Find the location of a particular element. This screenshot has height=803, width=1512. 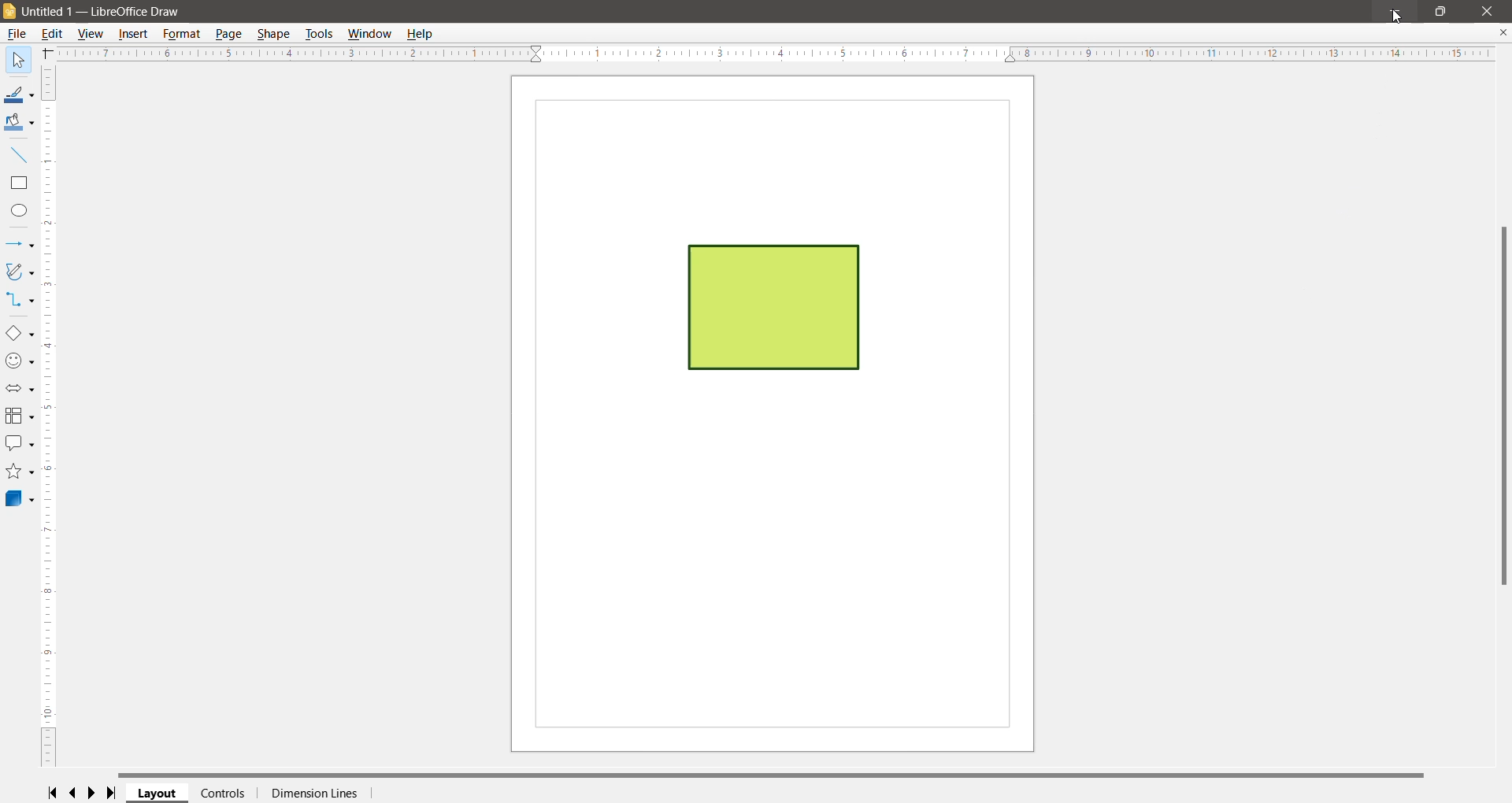

Cursor is located at coordinates (1396, 18).